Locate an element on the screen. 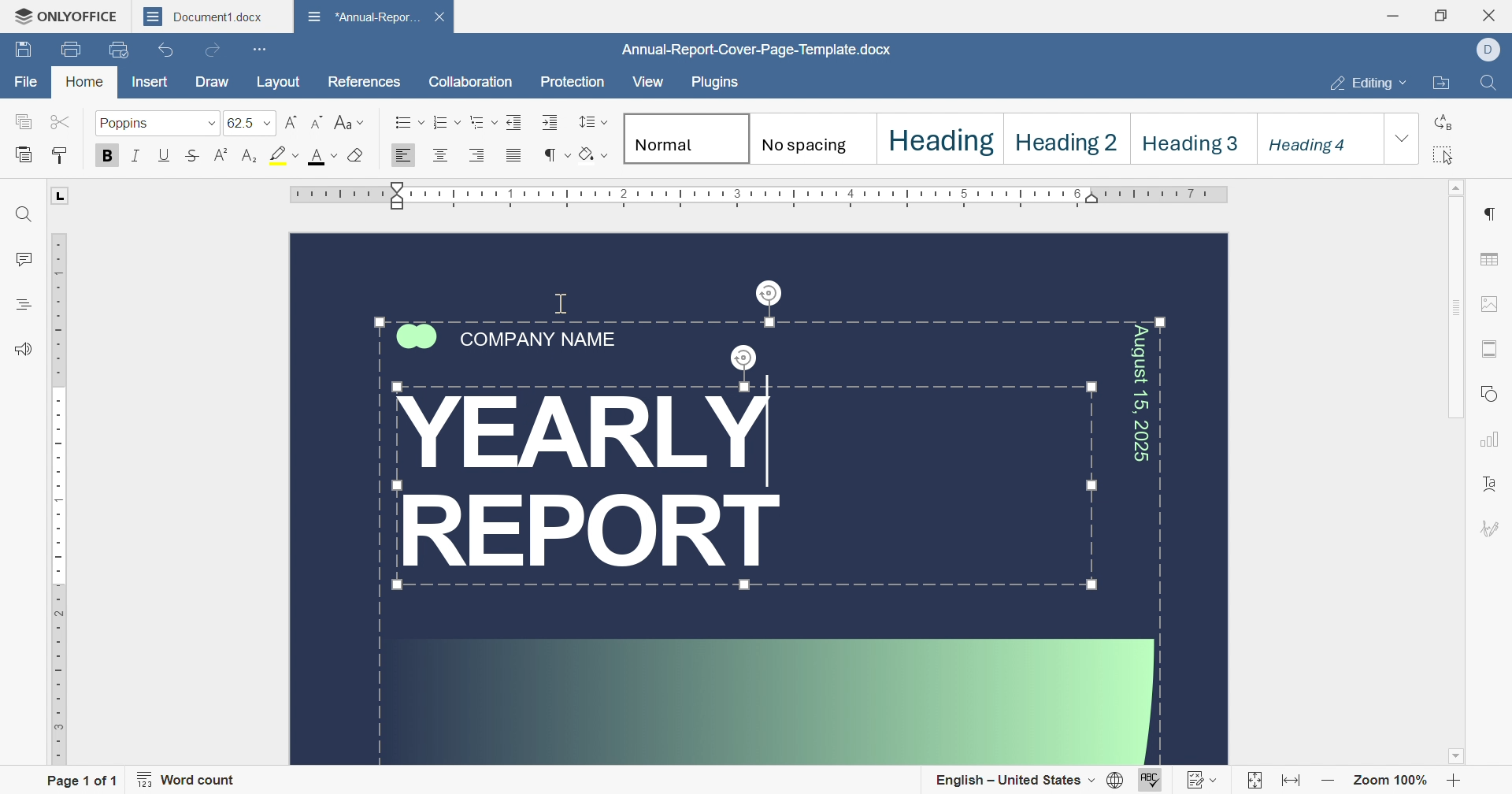 This screenshot has width=1512, height=794. font is located at coordinates (324, 156).